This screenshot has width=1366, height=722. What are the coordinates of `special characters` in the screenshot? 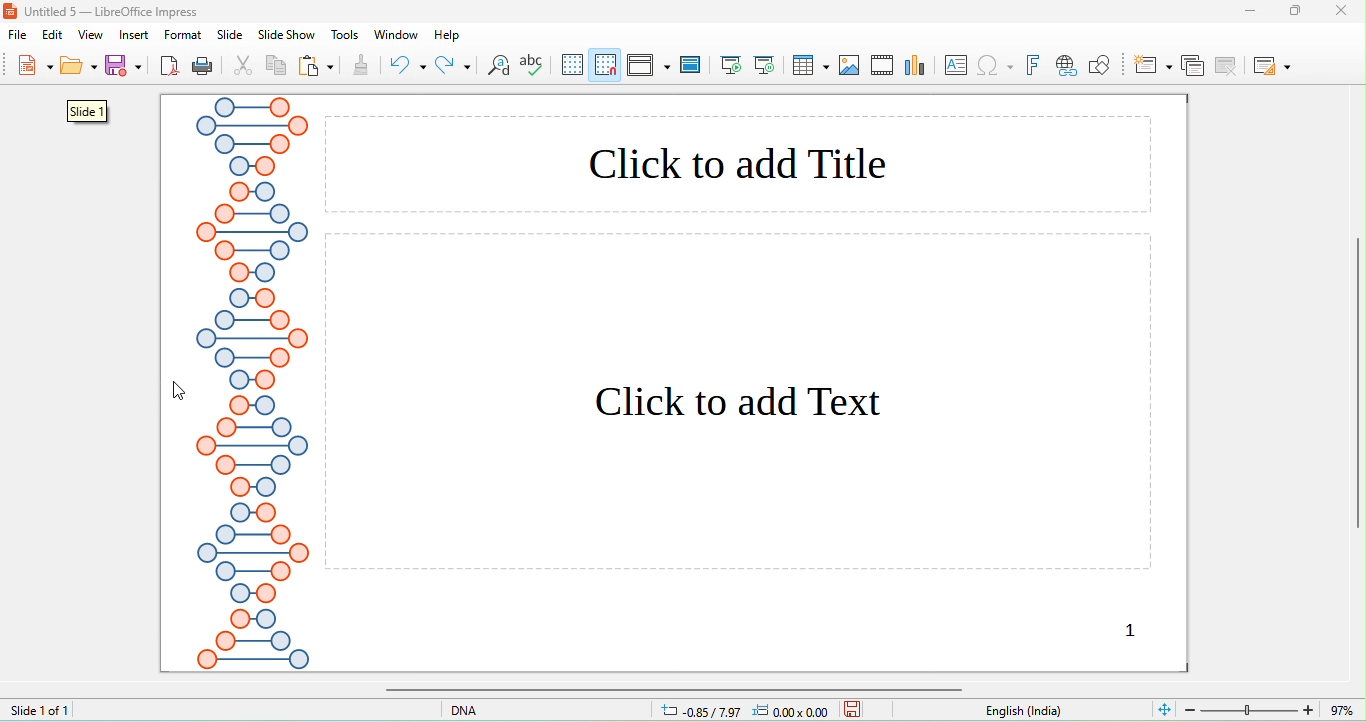 It's located at (997, 67).